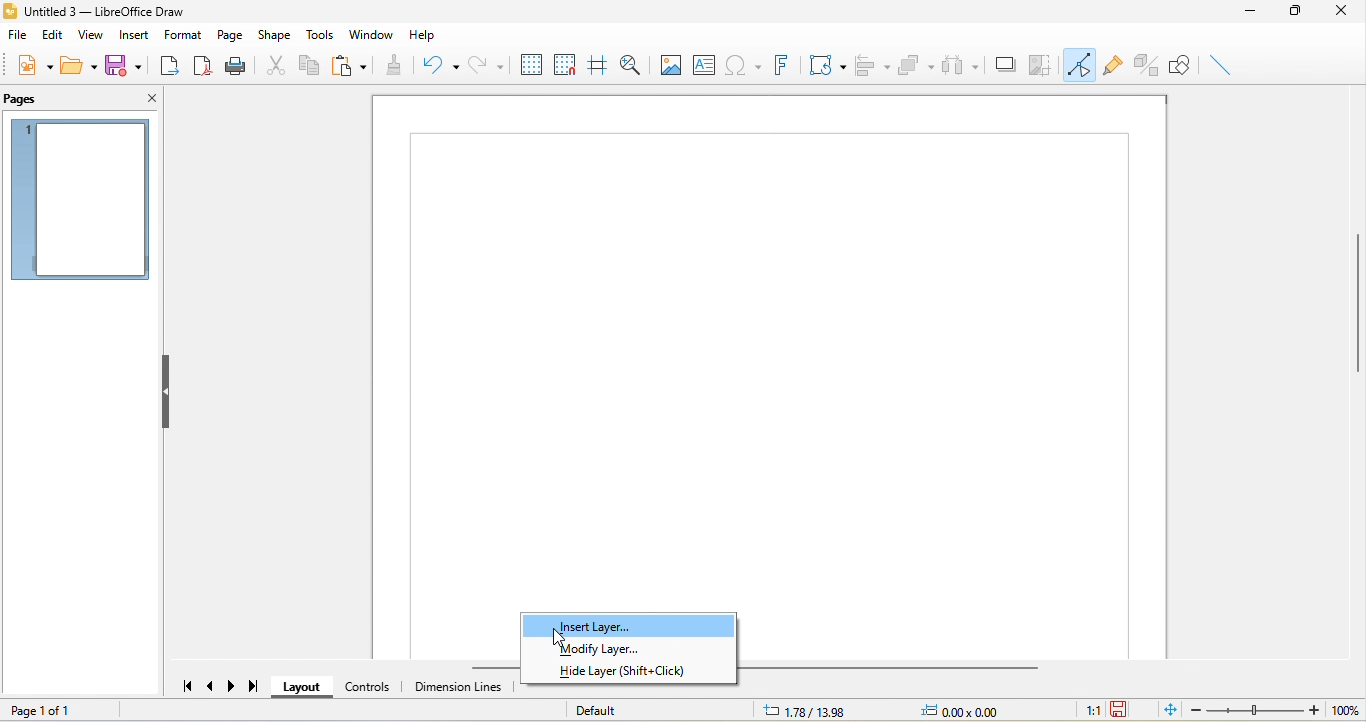 Image resolution: width=1366 pixels, height=722 pixels. What do you see at coordinates (1127, 710) in the screenshot?
I see `the document has not been modified since the last save` at bounding box center [1127, 710].